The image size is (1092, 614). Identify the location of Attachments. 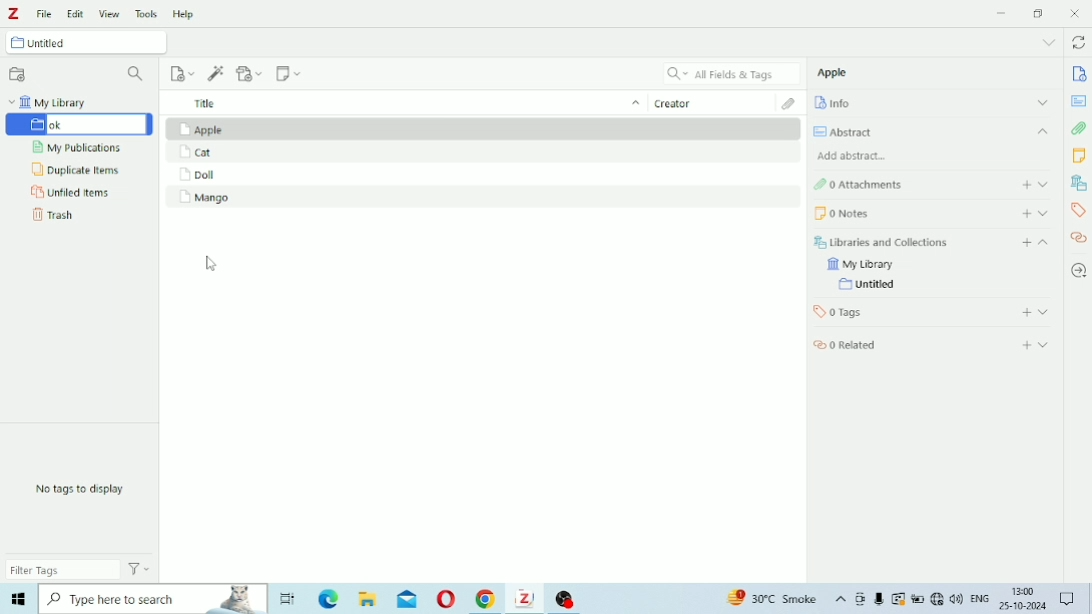
(858, 186).